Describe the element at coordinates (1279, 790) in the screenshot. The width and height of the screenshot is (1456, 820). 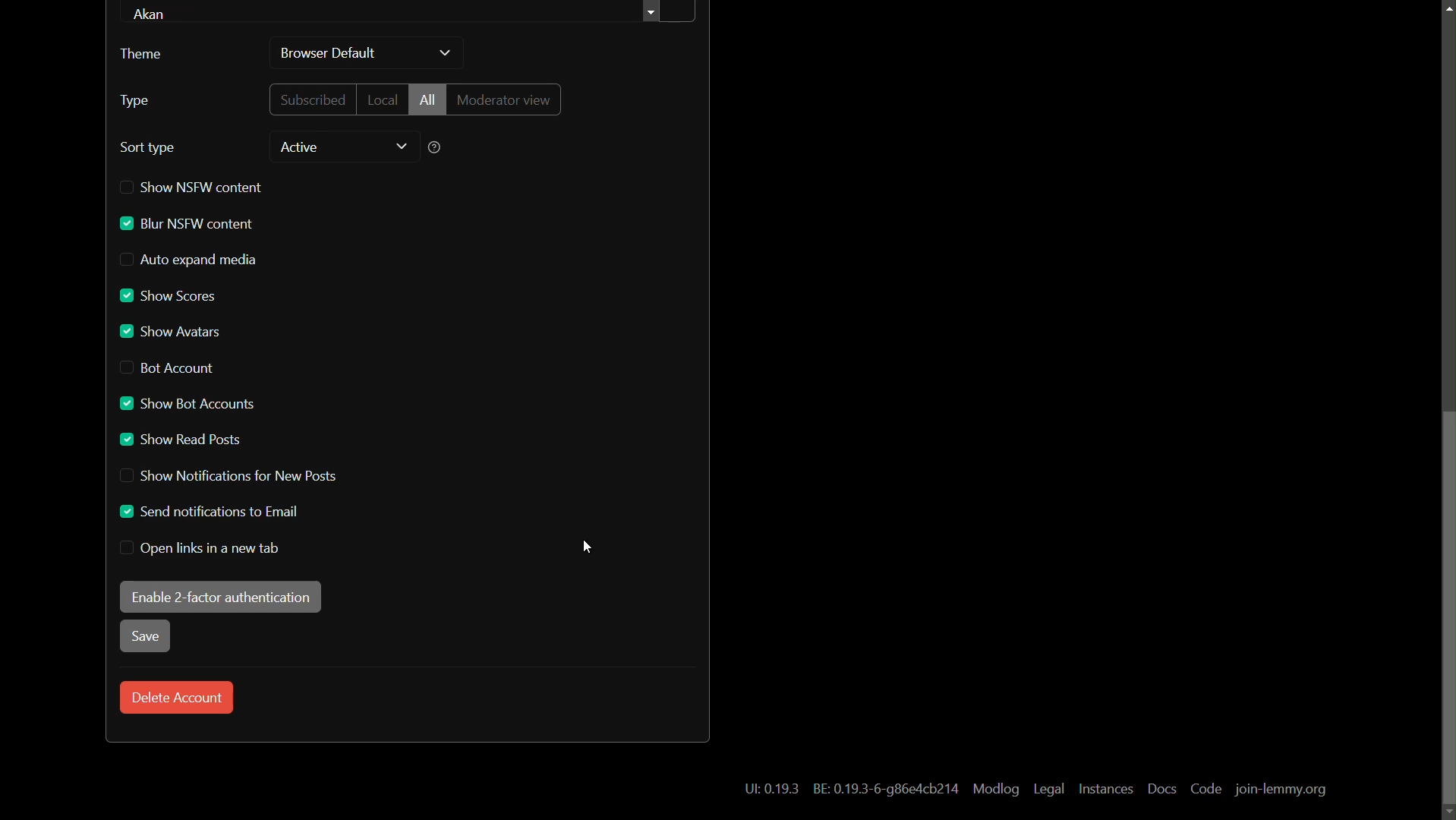
I see `join lemmy.org` at that location.